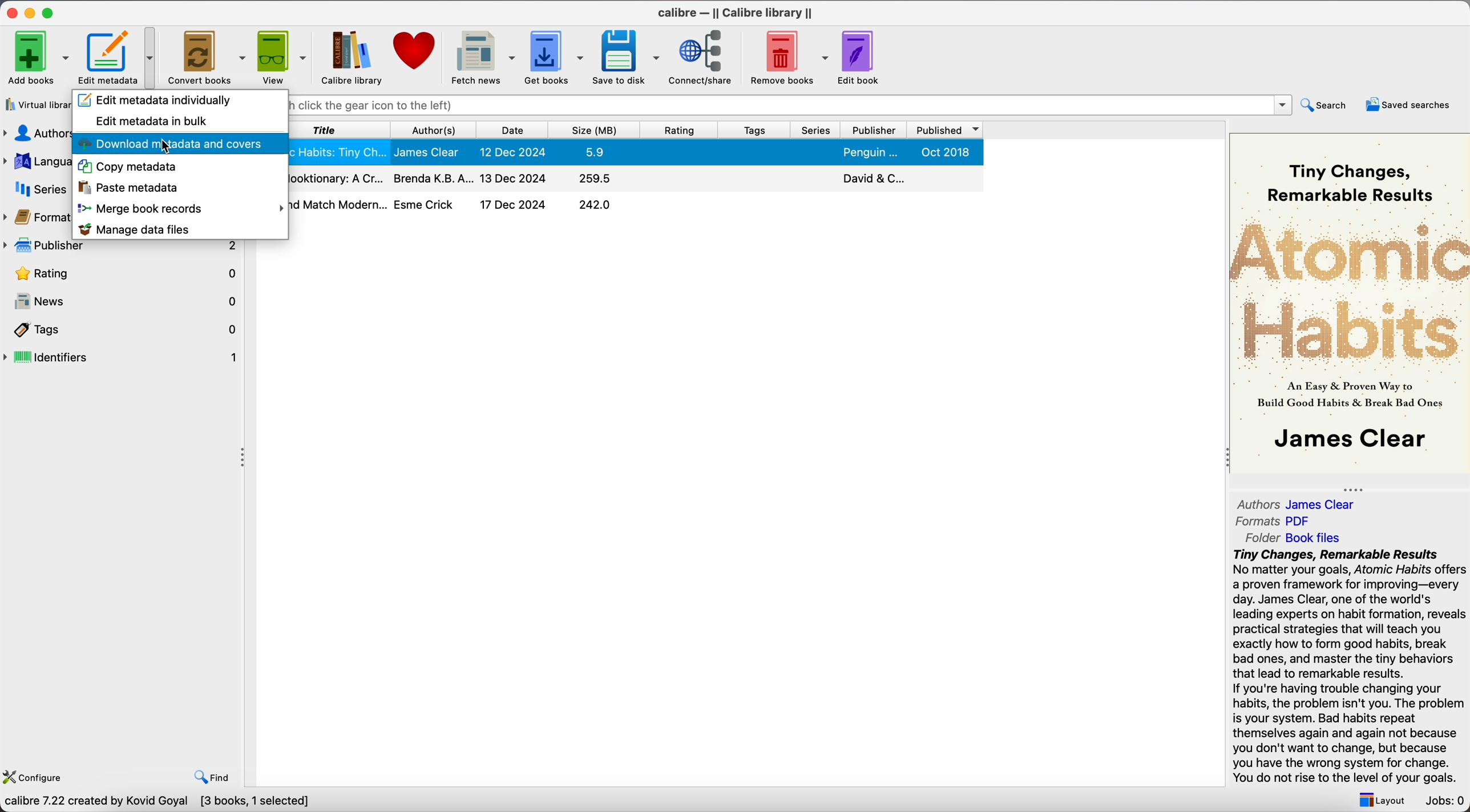 This screenshot has width=1470, height=812. I want to click on edit book, so click(860, 57).